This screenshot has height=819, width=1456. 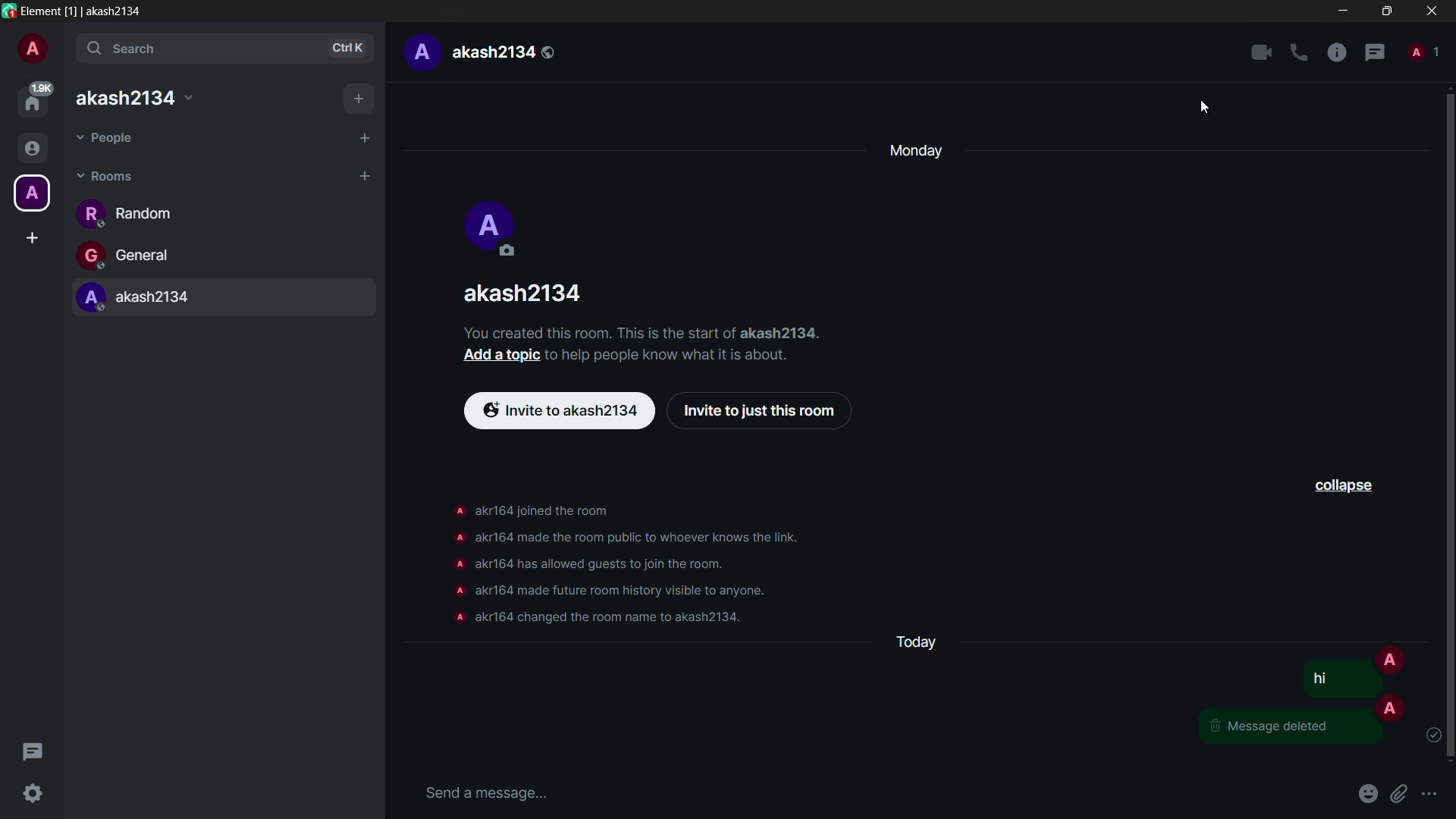 I want to click on invite to just this room, so click(x=763, y=411).